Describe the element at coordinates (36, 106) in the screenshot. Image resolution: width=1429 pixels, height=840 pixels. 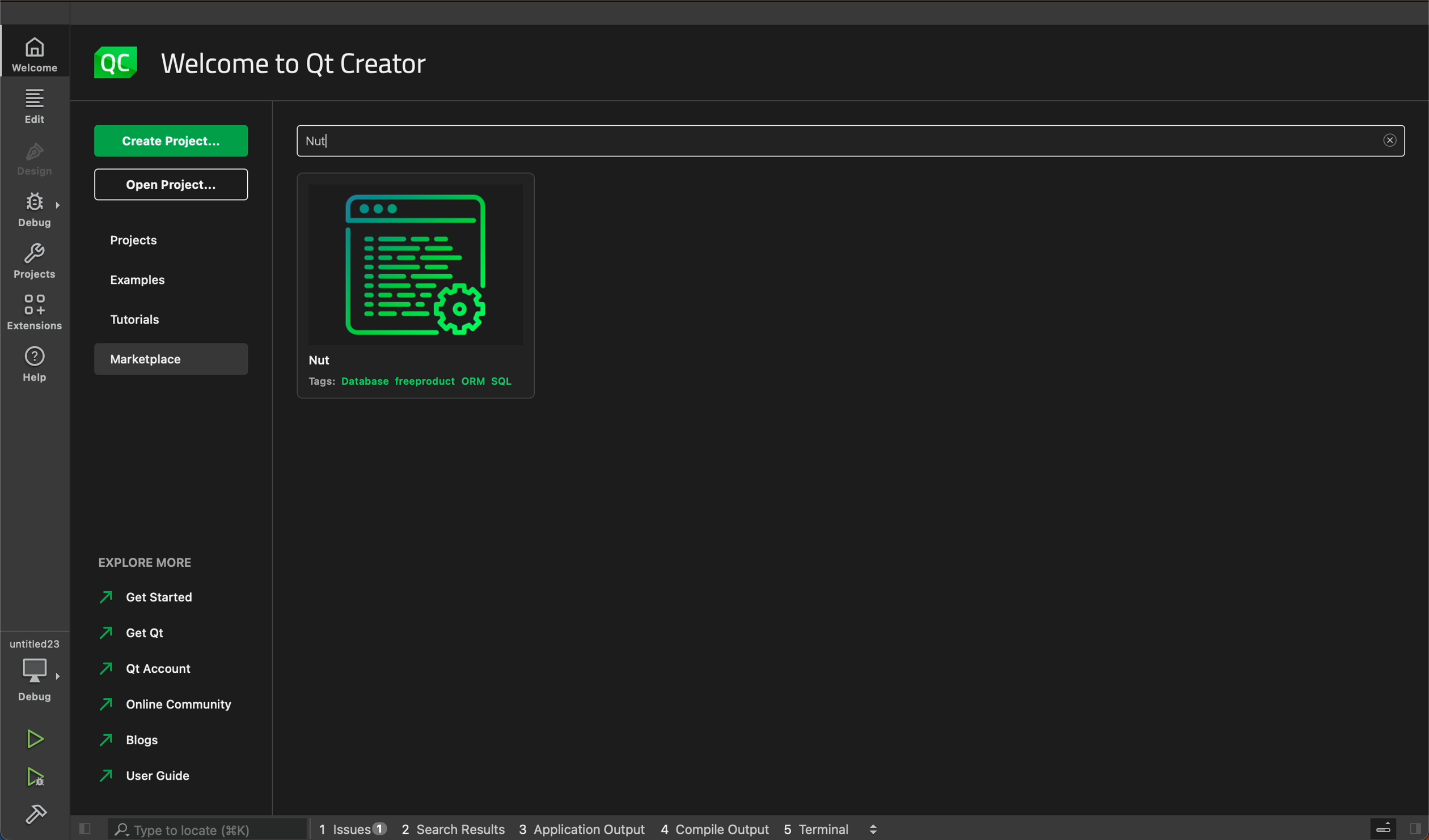
I see `edit` at that location.